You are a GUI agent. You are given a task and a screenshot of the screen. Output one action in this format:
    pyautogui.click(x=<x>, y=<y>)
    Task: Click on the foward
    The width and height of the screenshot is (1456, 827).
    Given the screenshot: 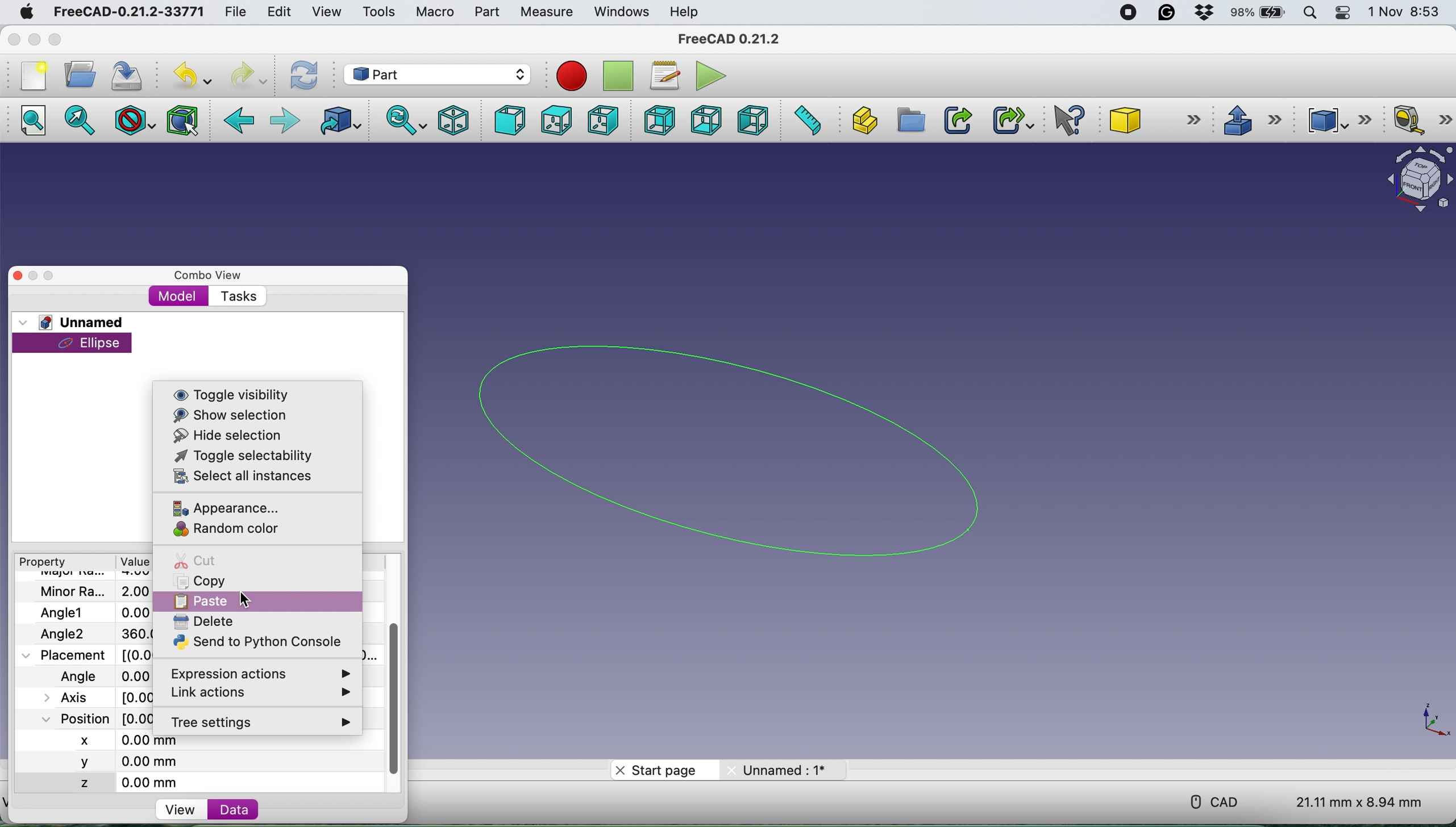 What is the action you would take?
    pyautogui.click(x=284, y=120)
    